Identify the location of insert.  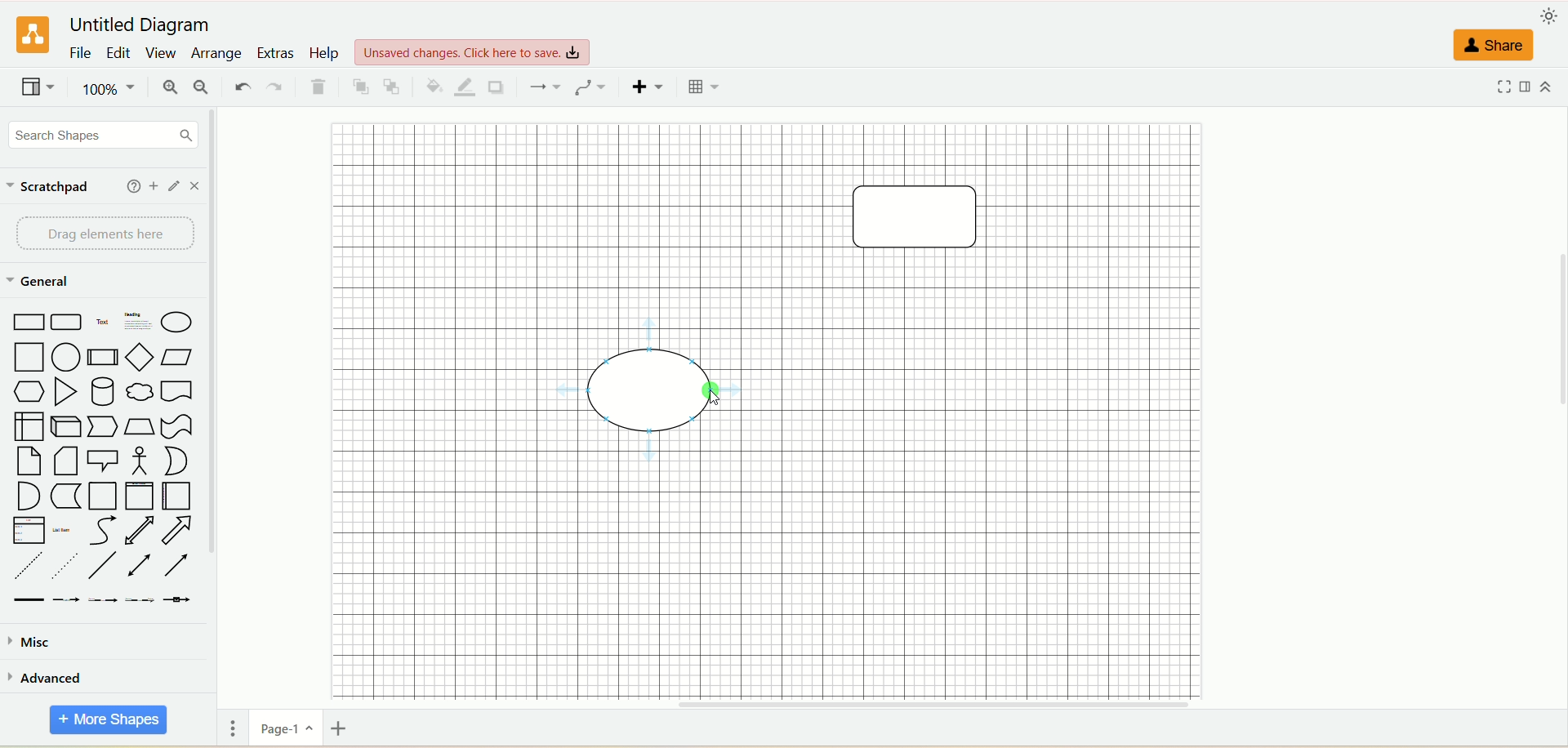
(645, 87).